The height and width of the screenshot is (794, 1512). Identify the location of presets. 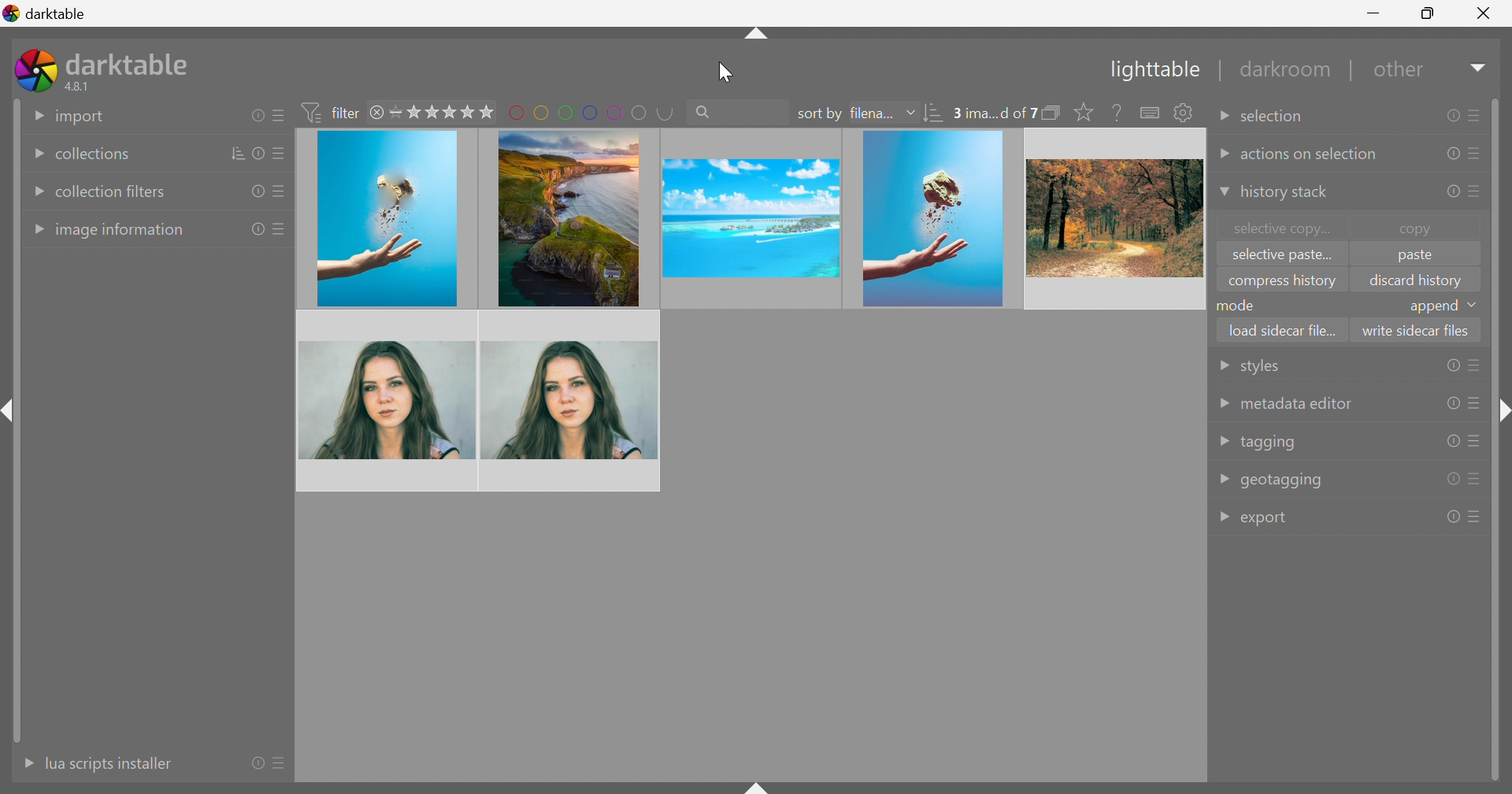
(280, 228).